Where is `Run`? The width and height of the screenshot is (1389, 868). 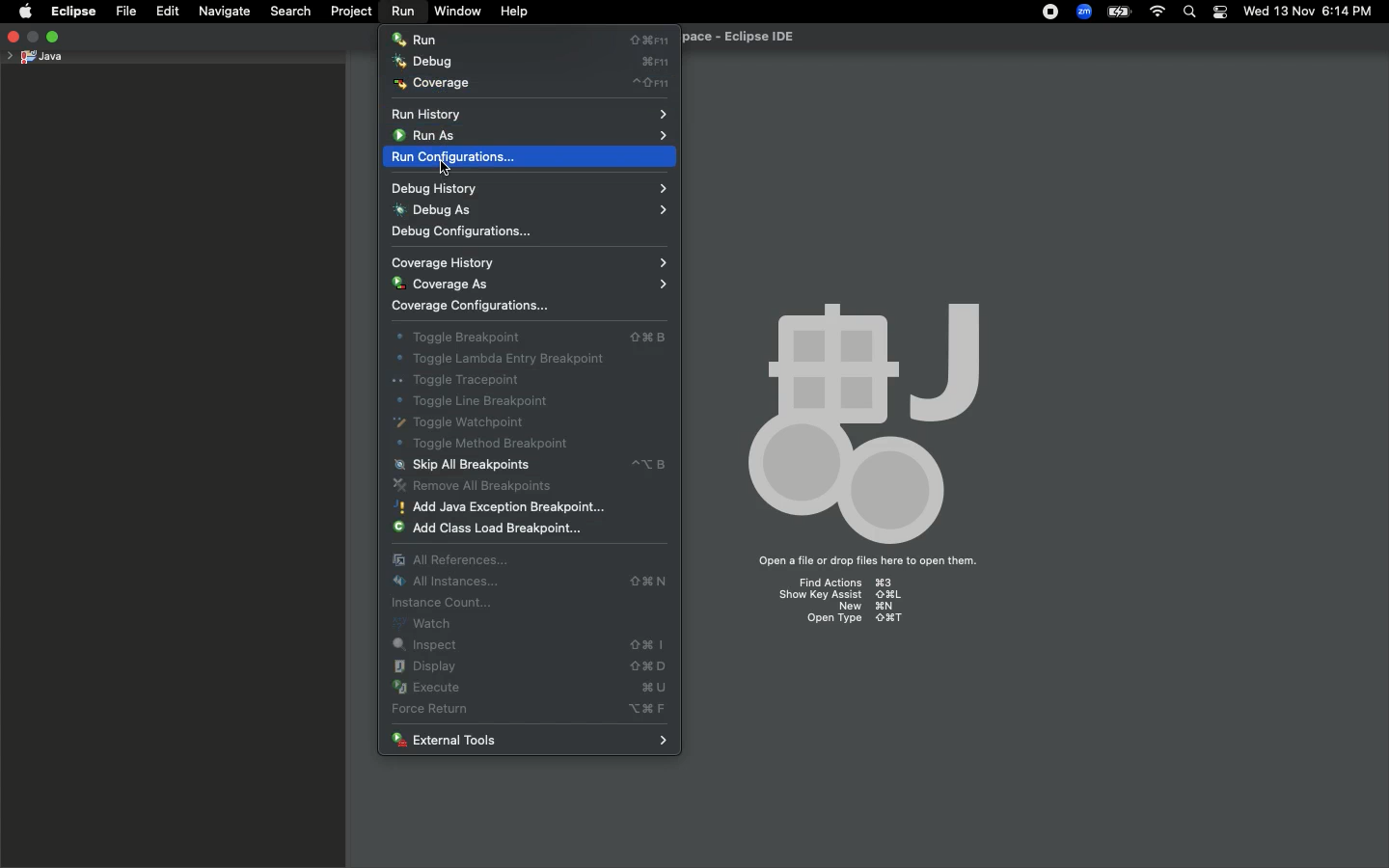
Run is located at coordinates (401, 14).